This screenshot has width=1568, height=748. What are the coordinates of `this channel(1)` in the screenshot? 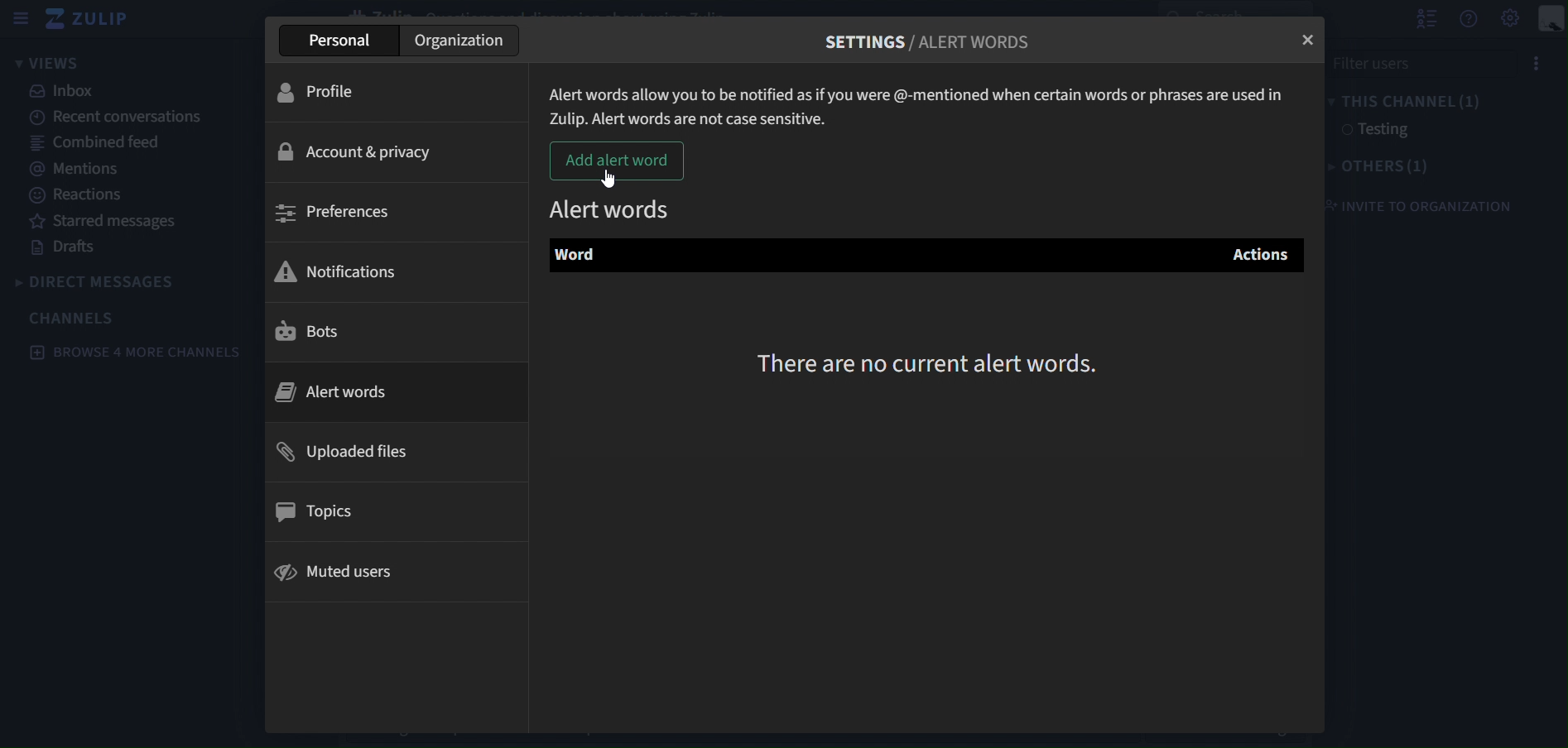 It's located at (1408, 102).